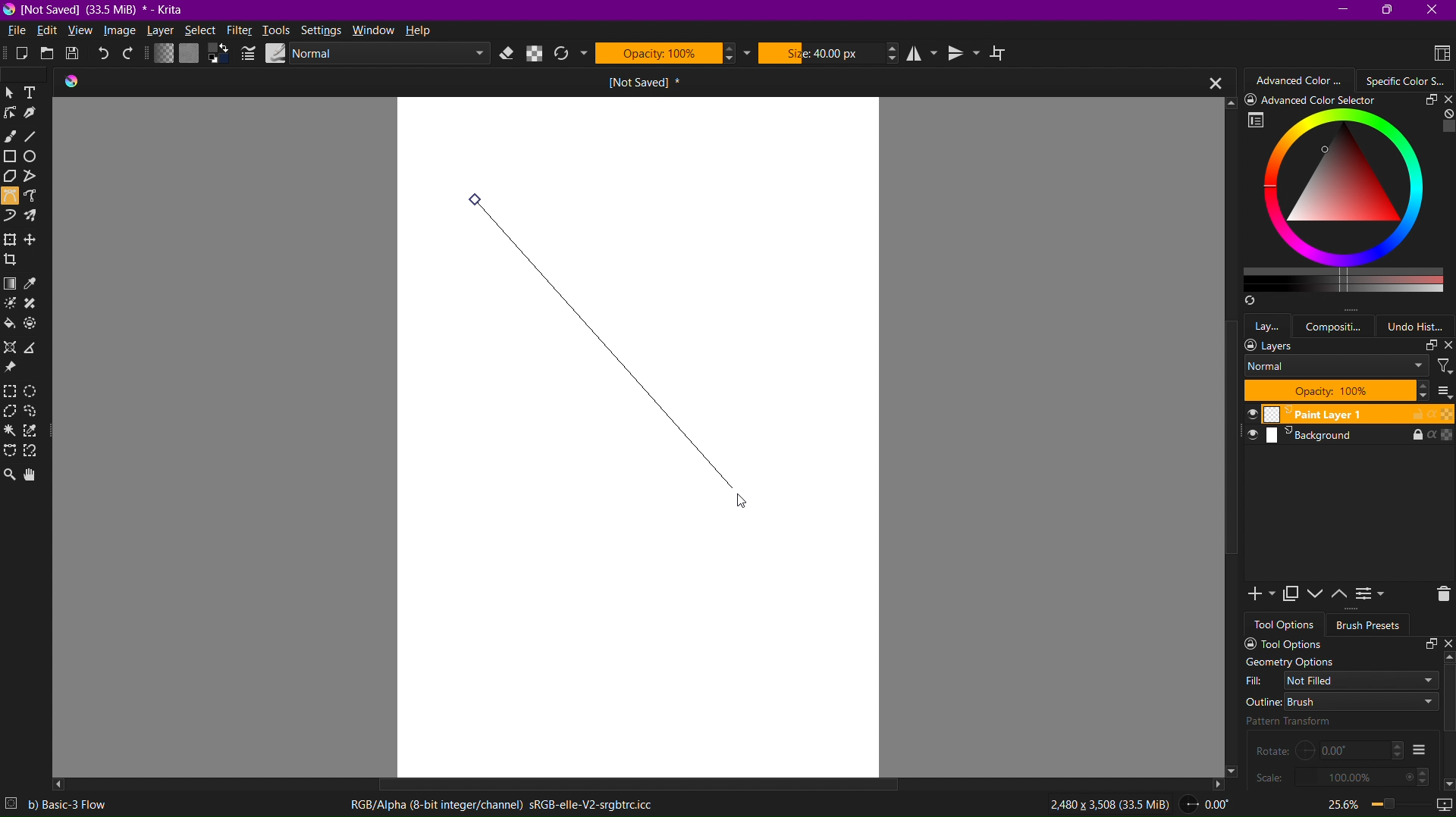 The height and width of the screenshot is (817, 1456). I want to click on Tool Options, so click(1286, 624).